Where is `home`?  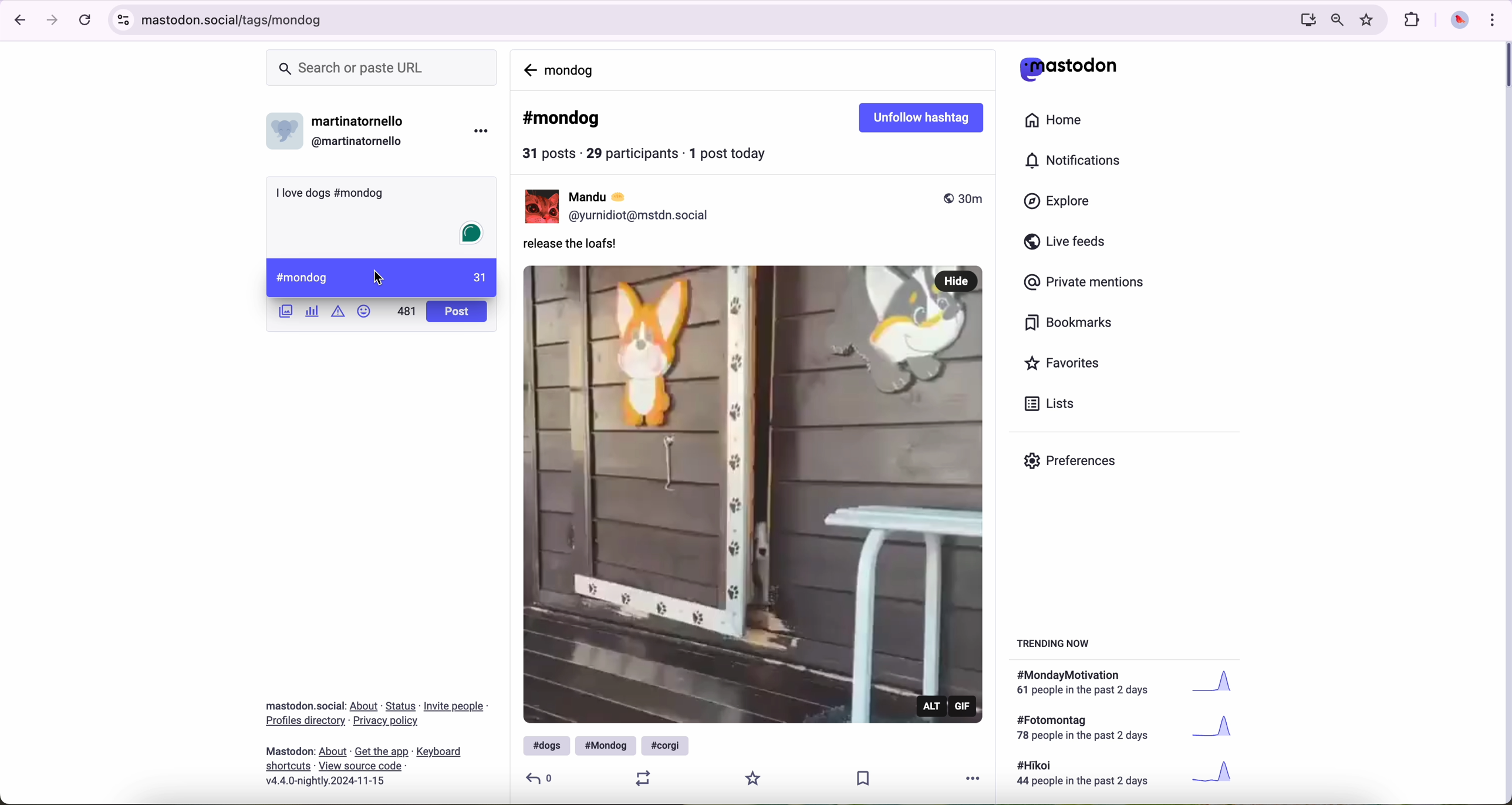
home is located at coordinates (1055, 119).